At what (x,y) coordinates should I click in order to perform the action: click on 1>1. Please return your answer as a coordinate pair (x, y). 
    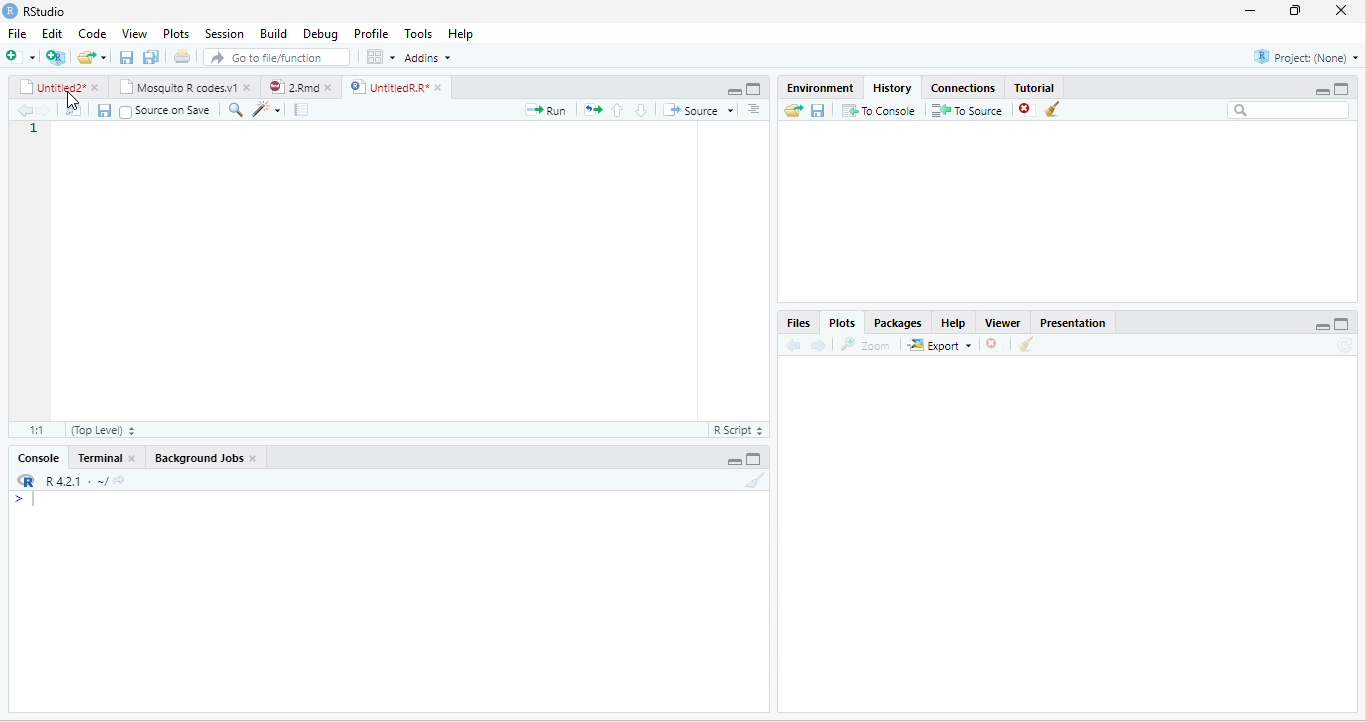
    Looking at the image, I should click on (35, 429).